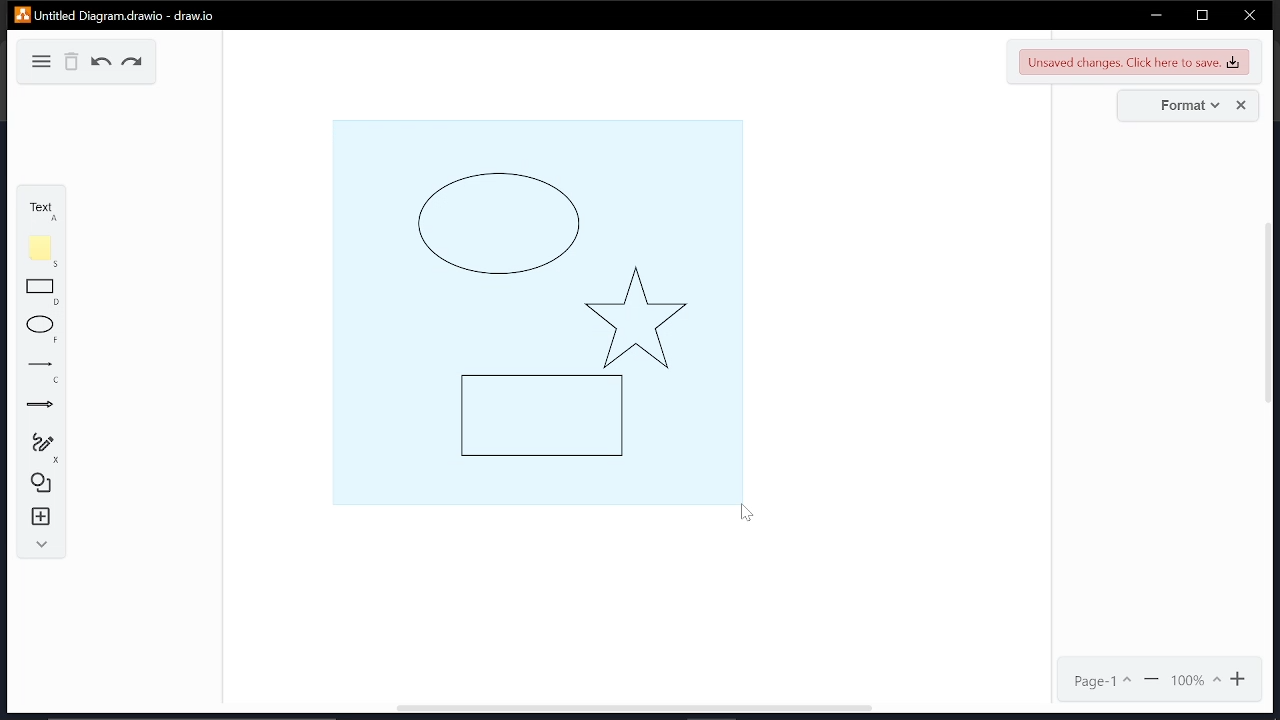 Image resolution: width=1280 pixels, height=720 pixels. I want to click on rectangle, so click(41, 292).